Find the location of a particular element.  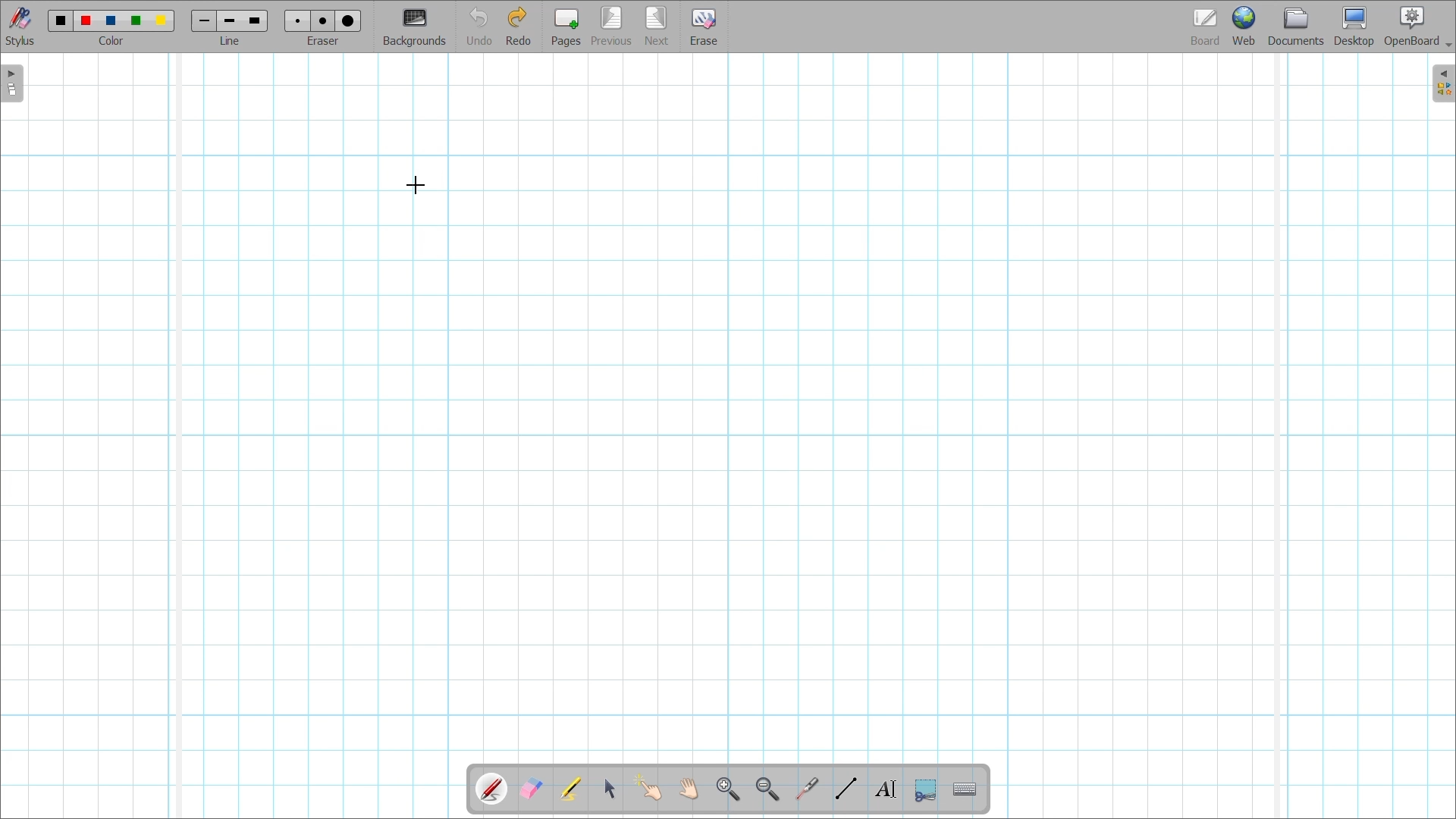

Write text is located at coordinates (886, 790).